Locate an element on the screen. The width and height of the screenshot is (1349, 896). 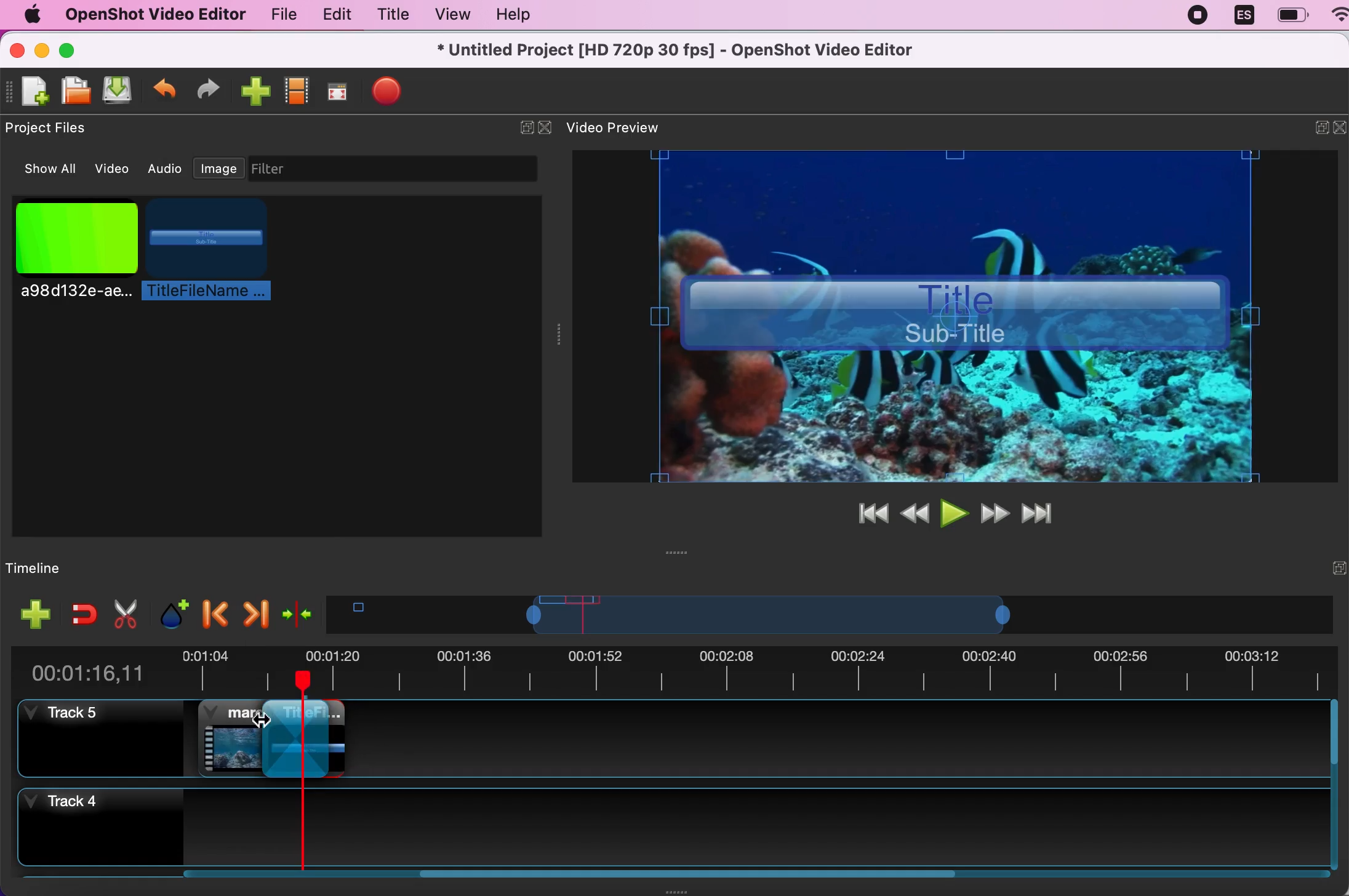
rewind is located at coordinates (915, 511).